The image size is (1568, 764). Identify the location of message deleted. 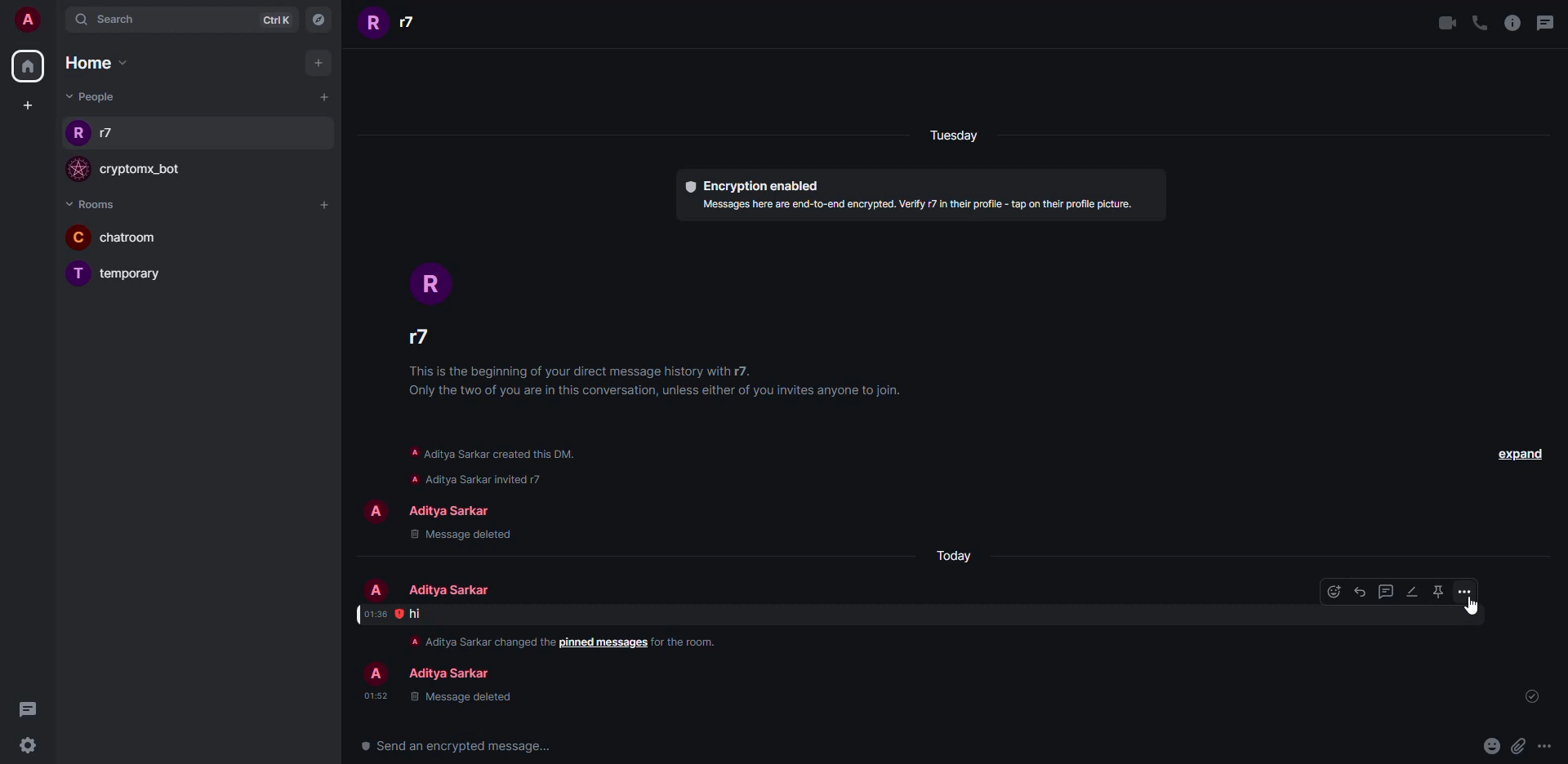
(462, 534).